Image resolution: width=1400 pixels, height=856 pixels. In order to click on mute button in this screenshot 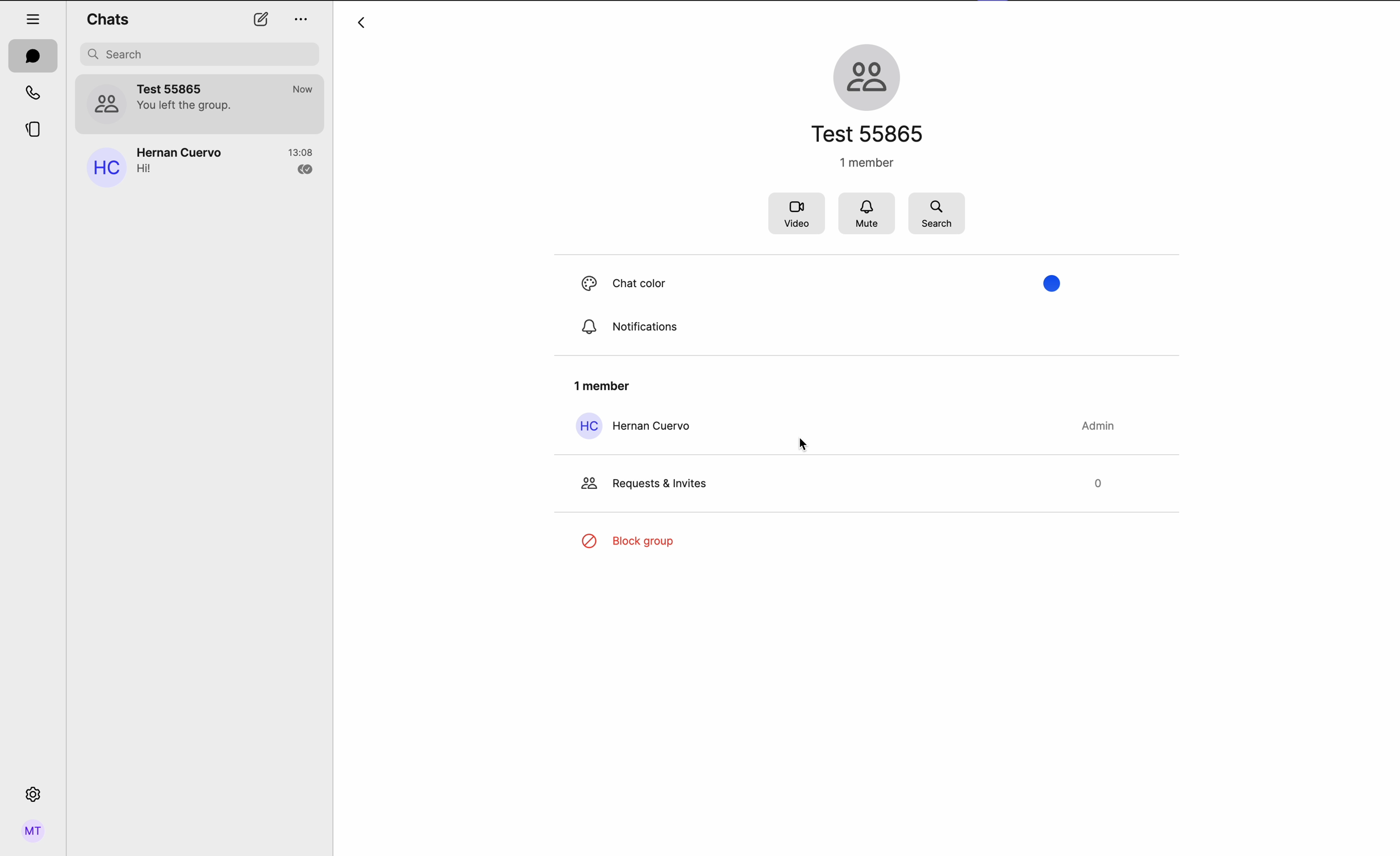, I will do `click(868, 214)`.